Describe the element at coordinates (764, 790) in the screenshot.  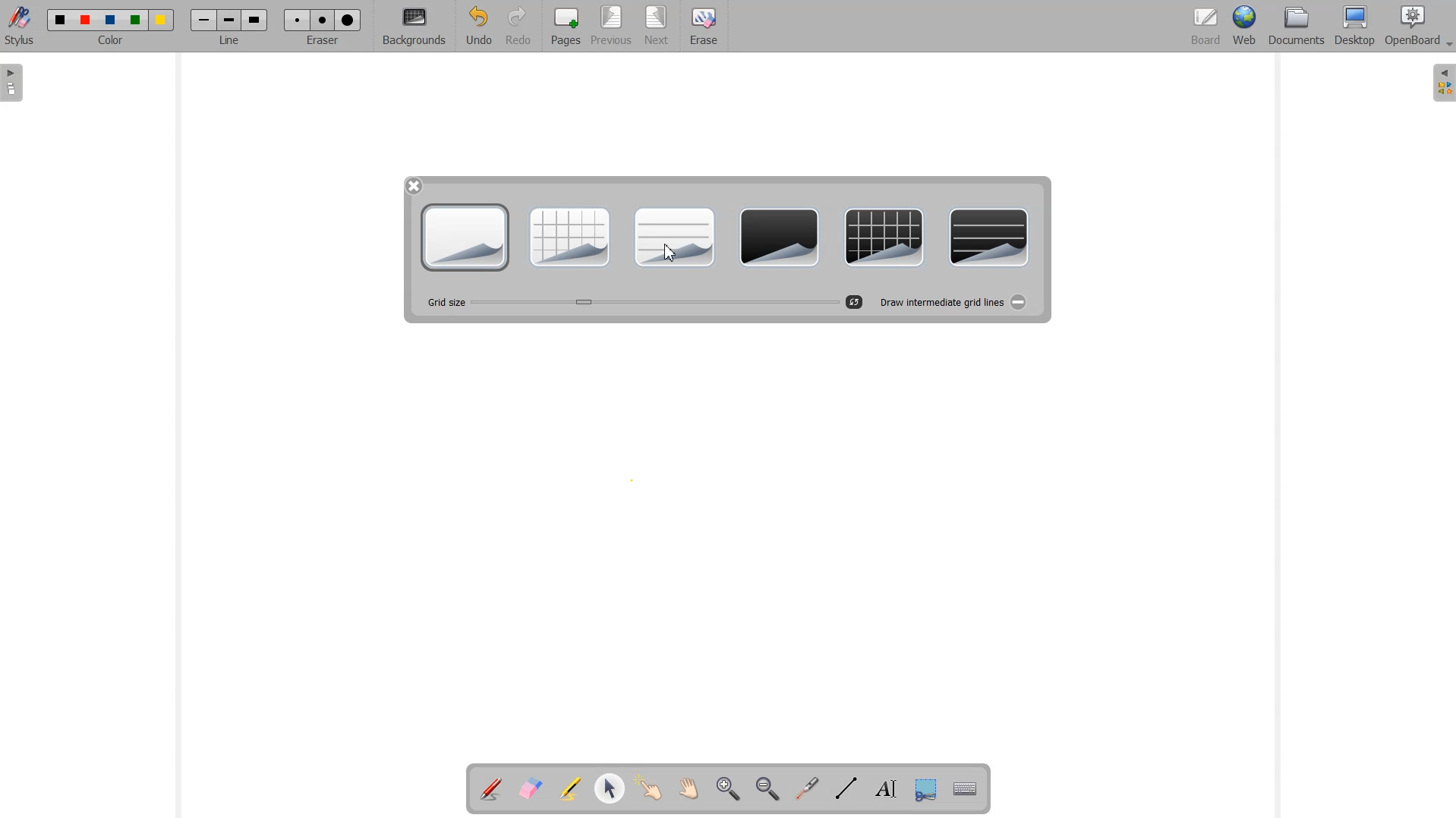
I see `Zoom Out` at that location.